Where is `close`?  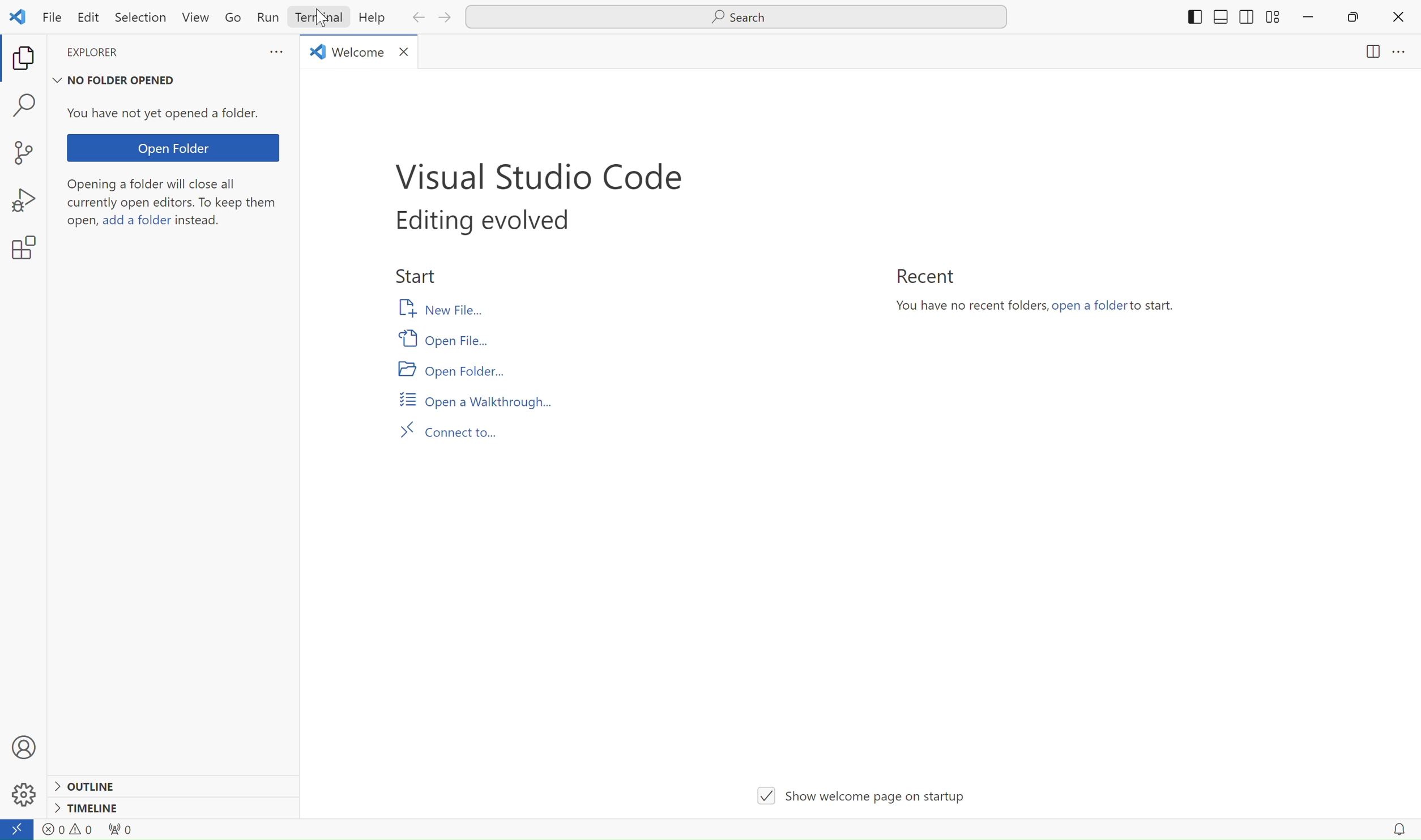 close is located at coordinates (412, 58).